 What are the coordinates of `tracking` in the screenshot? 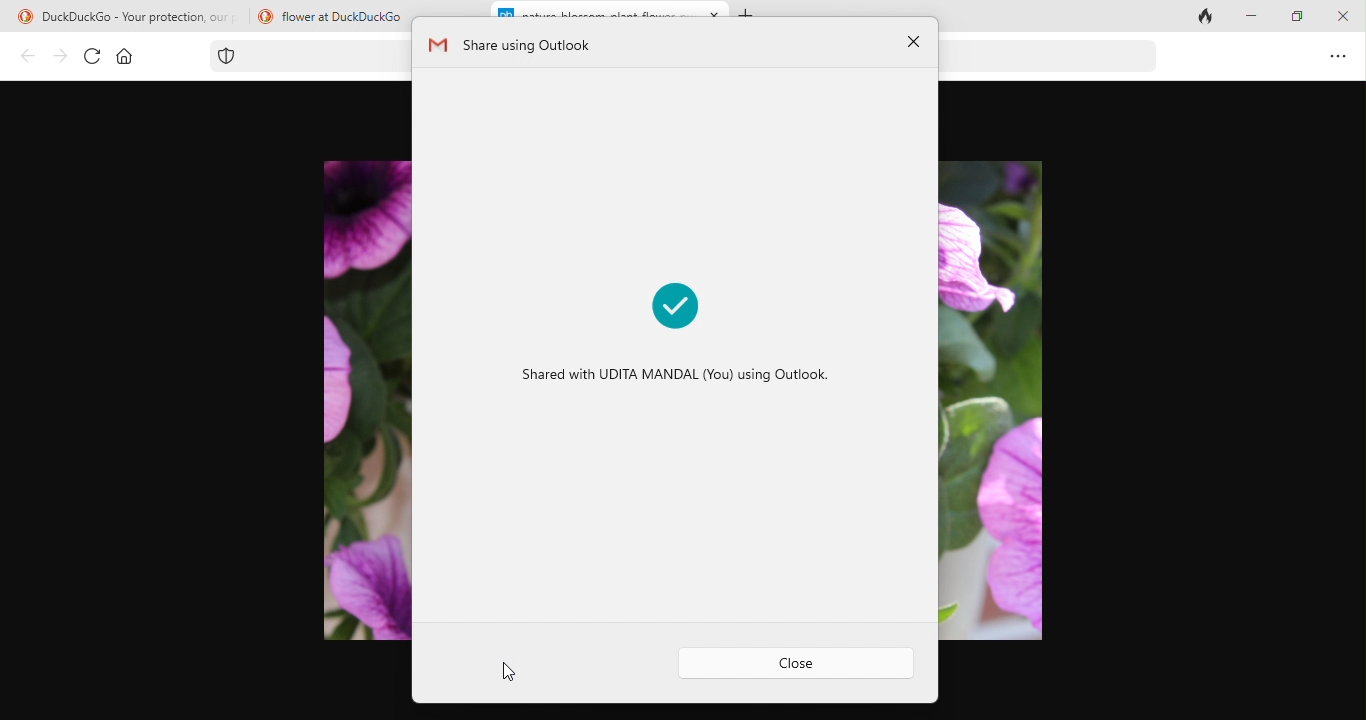 It's located at (231, 56).